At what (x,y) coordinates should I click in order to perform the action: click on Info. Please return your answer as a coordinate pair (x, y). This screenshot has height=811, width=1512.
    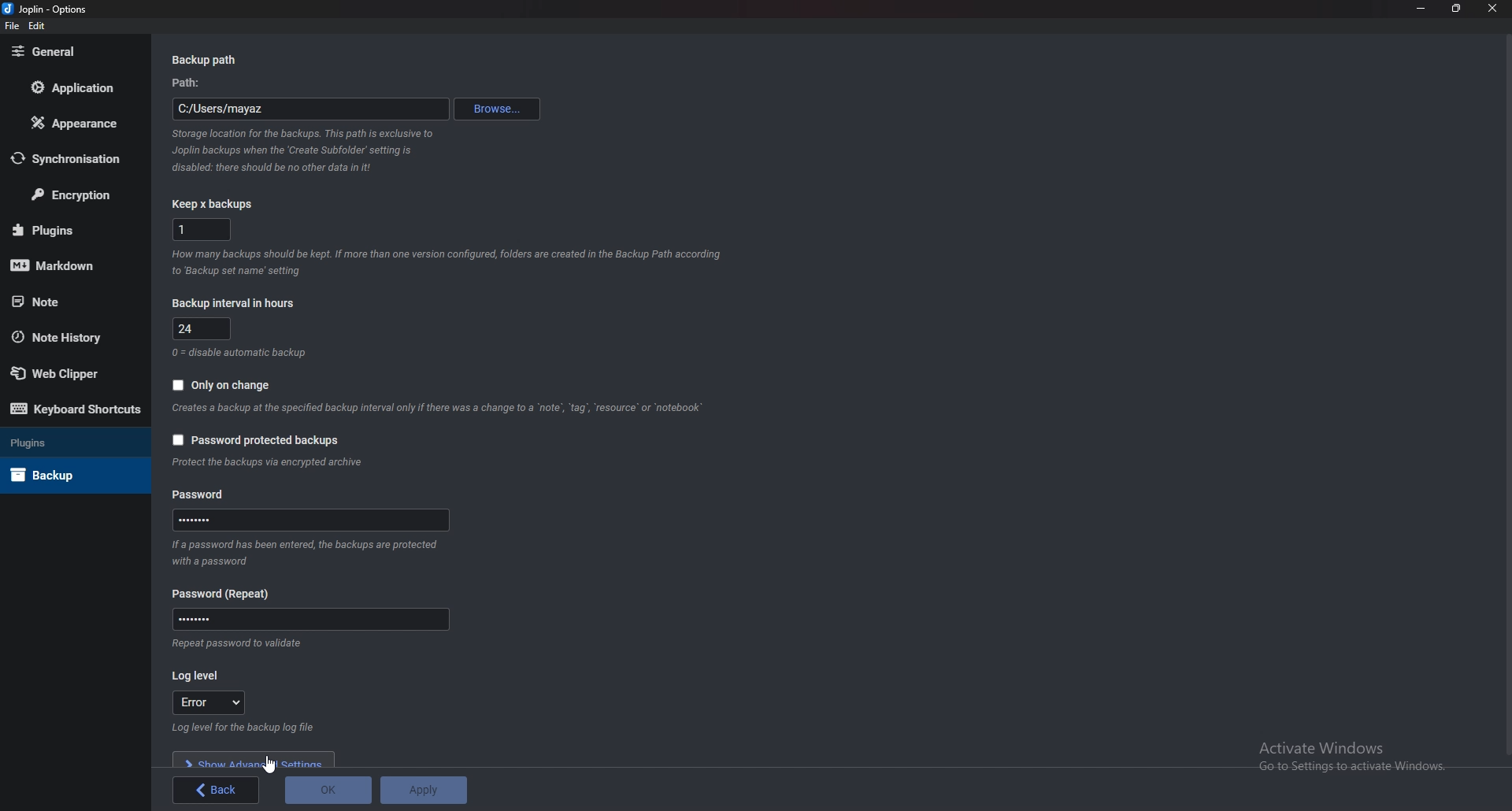
    Looking at the image, I should click on (246, 352).